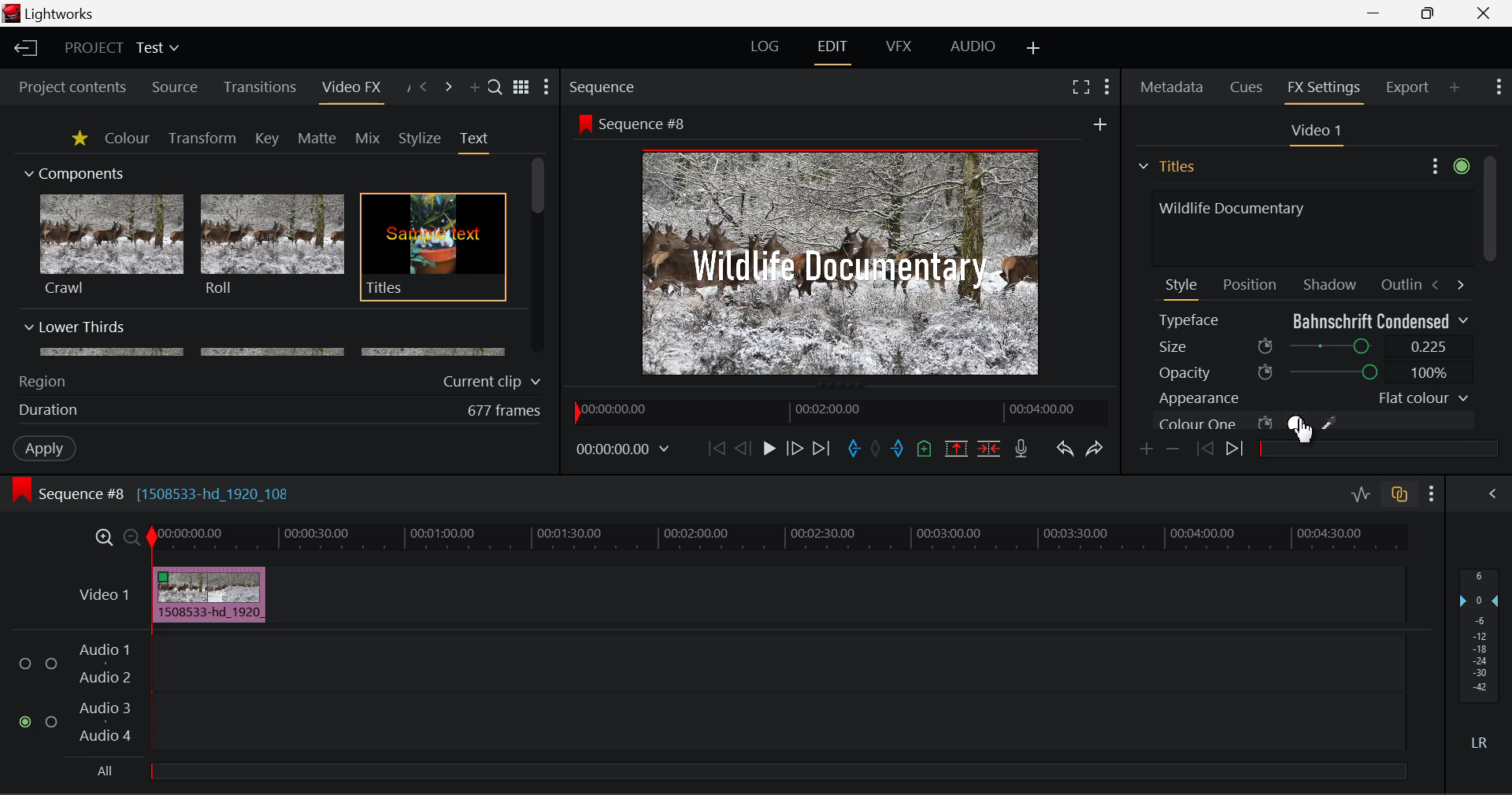  Describe the element at coordinates (1109, 87) in the screenshot. I see `Show Settings` at that location.